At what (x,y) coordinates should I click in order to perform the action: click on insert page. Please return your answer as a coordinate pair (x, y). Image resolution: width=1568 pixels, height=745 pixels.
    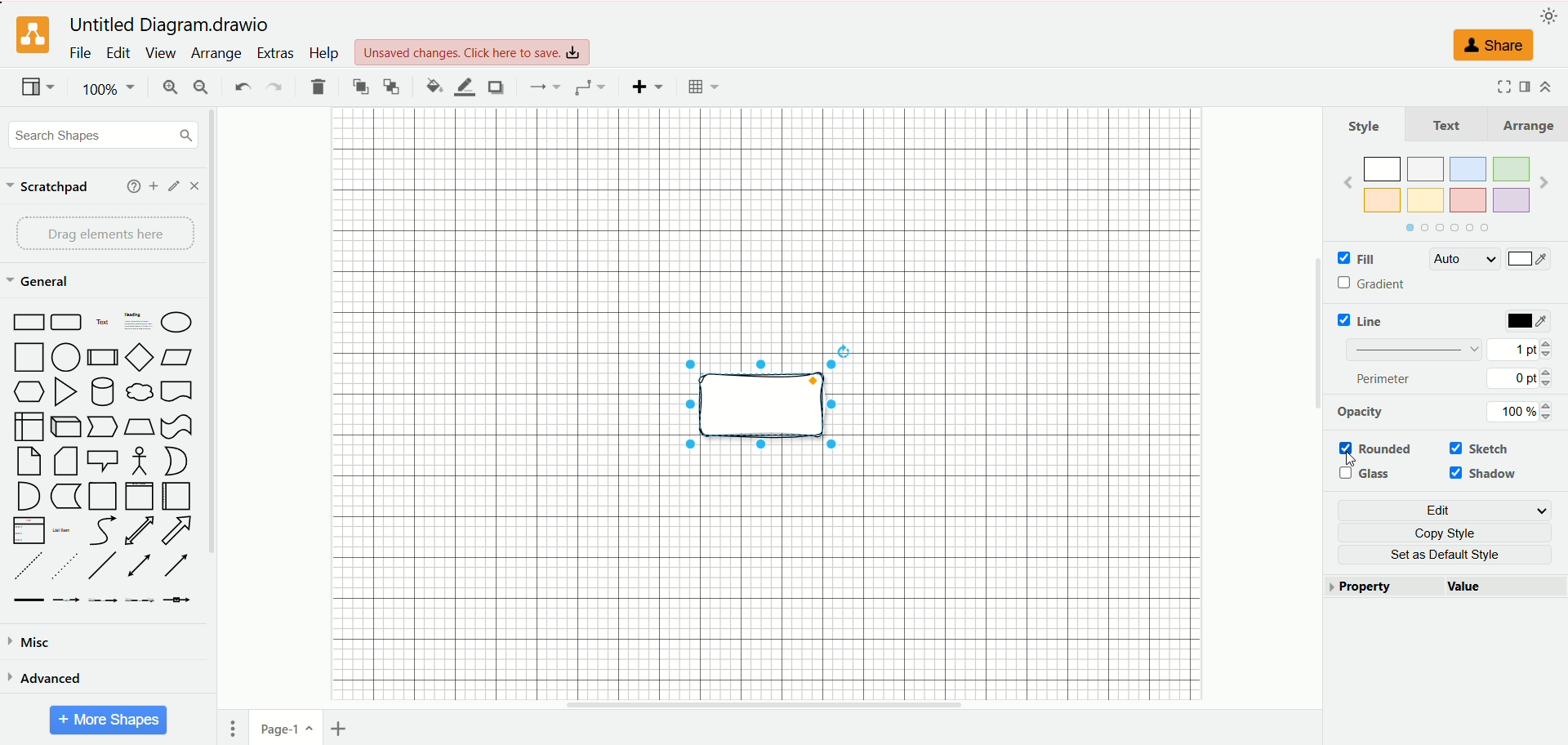
    Looking at the image, I should click on (342, 729).